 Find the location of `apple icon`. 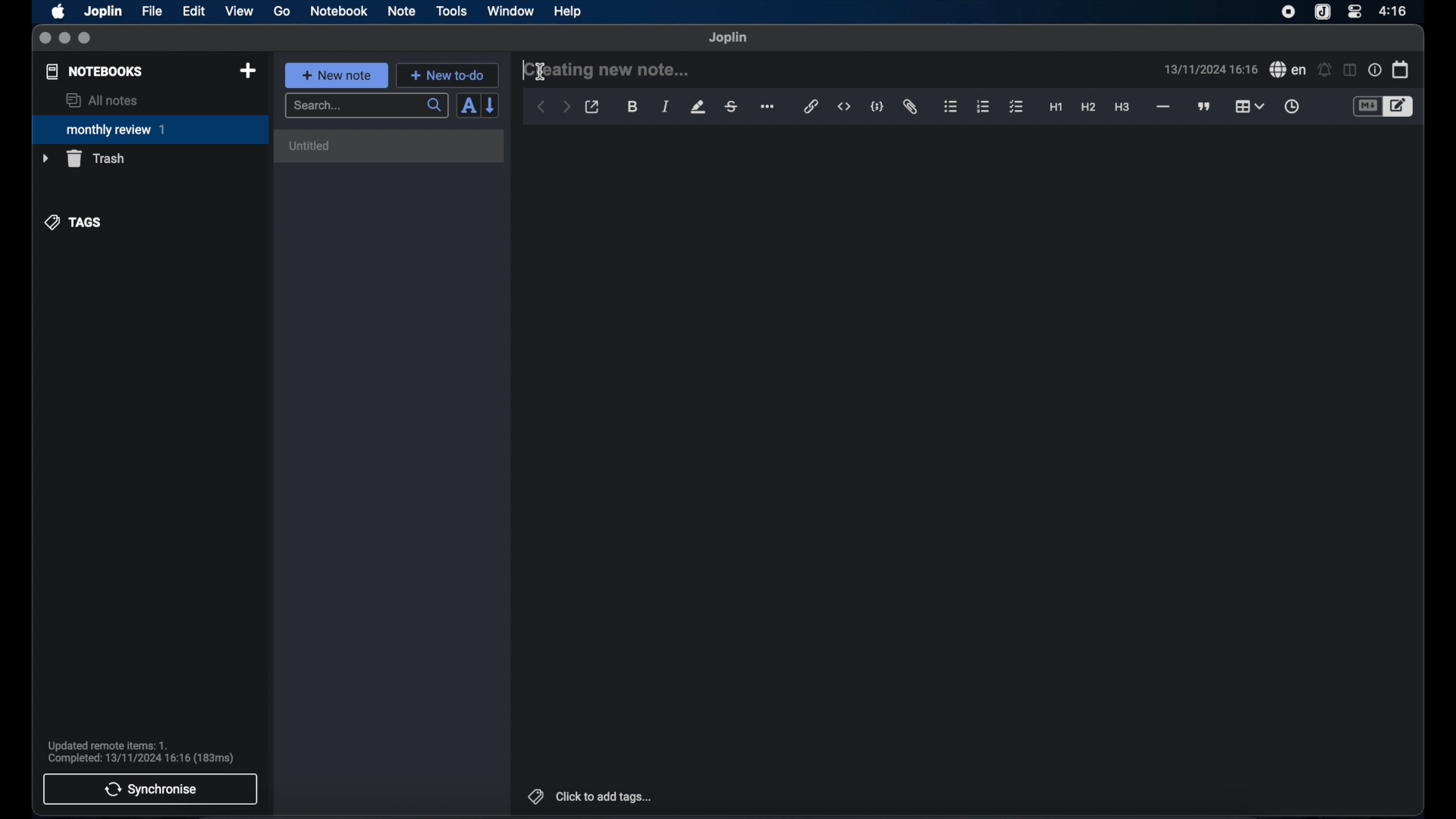

apple icon is located at coordinates (57, 11).